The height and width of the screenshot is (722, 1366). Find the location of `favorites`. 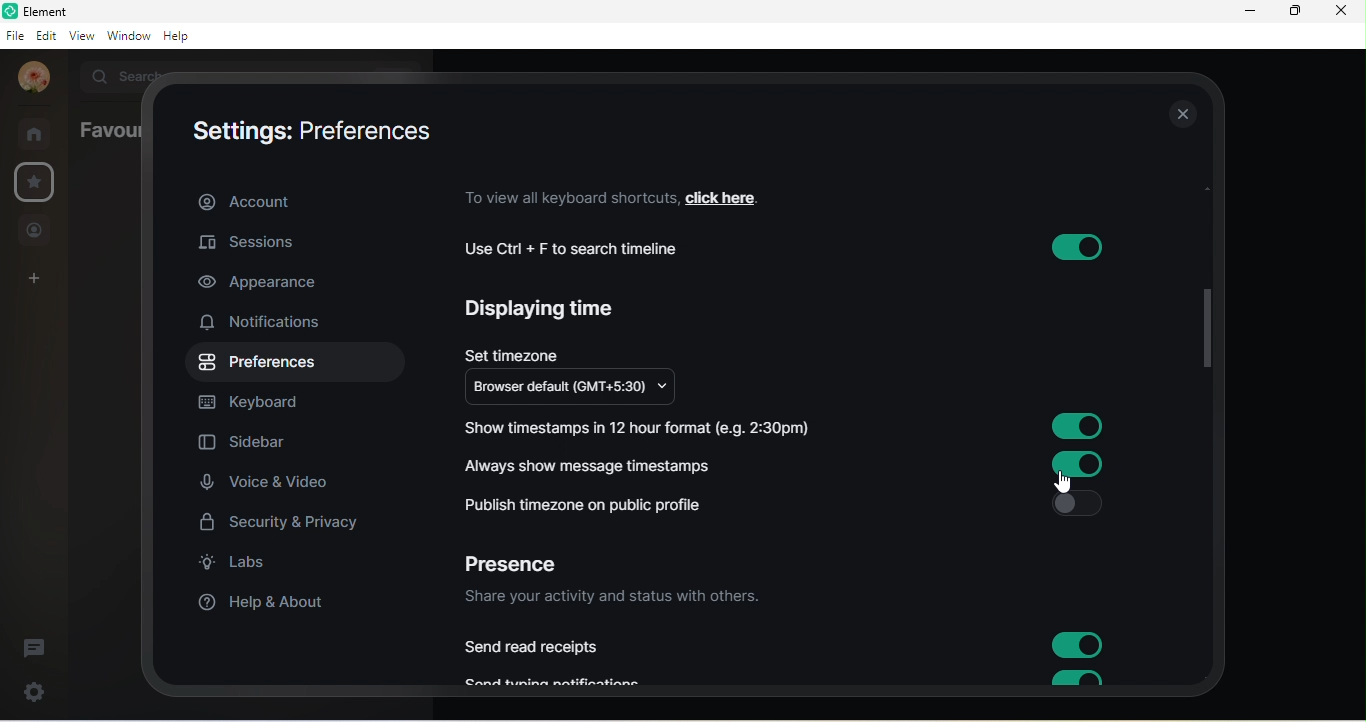

favorites is located at coordinates (33, 182).